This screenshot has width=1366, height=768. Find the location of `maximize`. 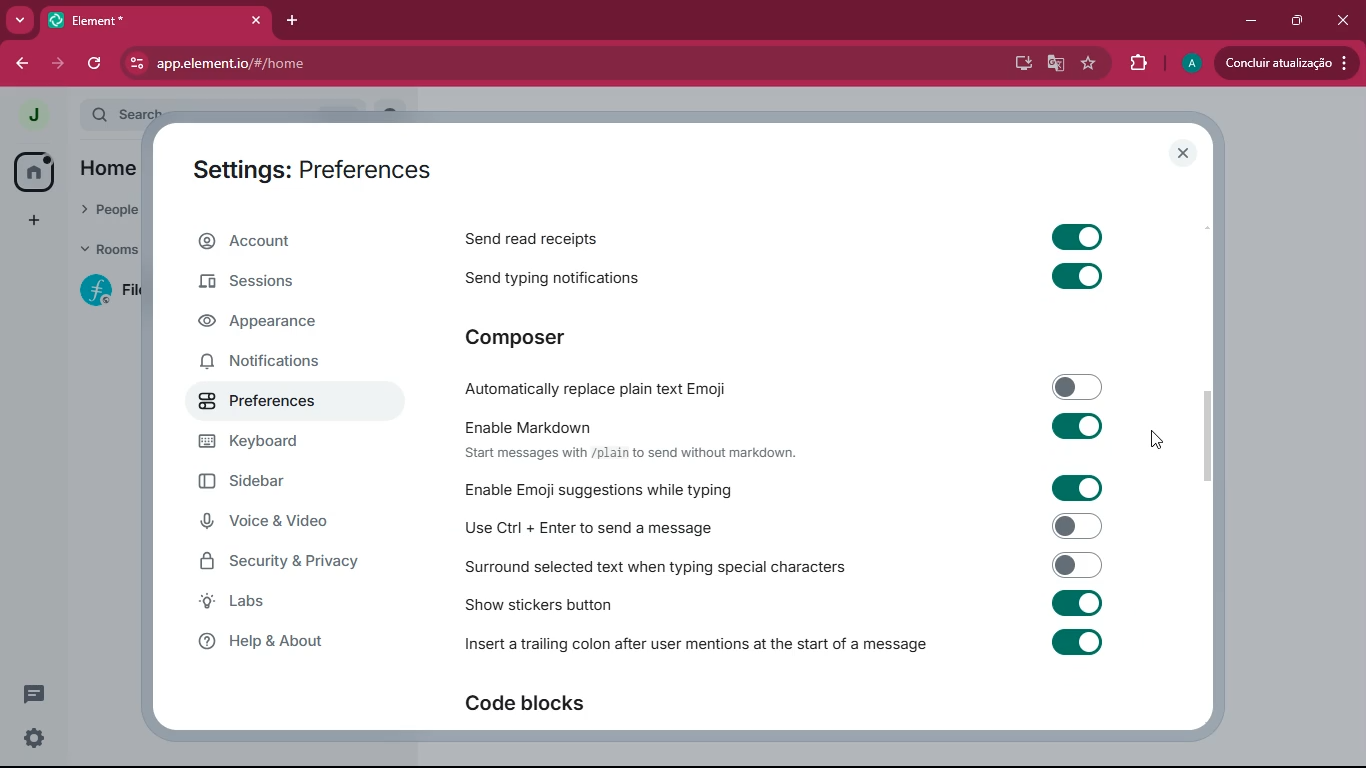

maximize is located at coordinates (1293, 21).